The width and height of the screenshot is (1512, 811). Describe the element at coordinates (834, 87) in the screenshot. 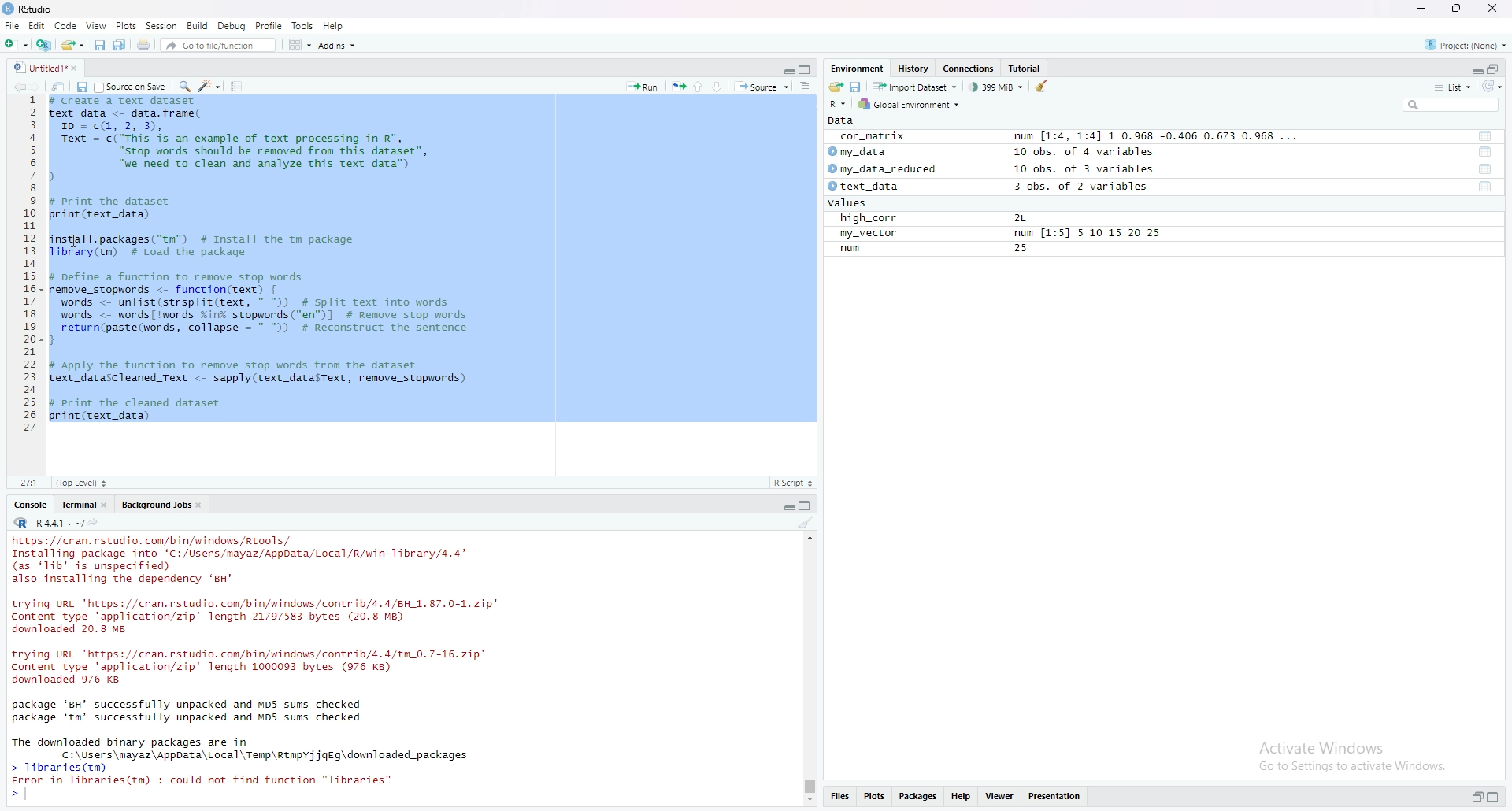

I see `load workspace` at that location.